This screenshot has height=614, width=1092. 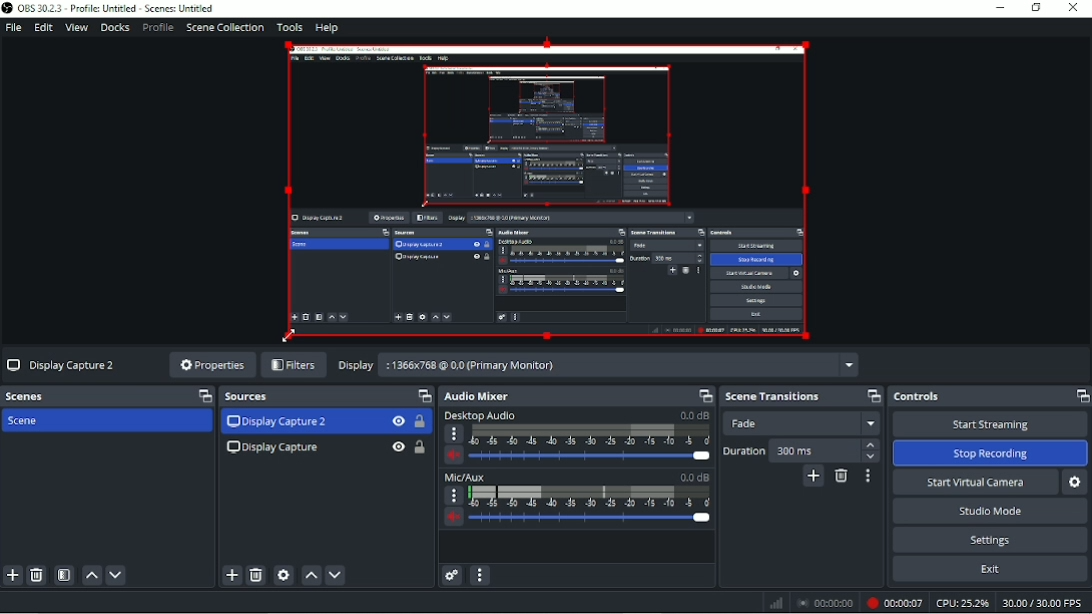 What do you see at coordinates (988, 511) in the screenshot?
I see `Studio mode` at bounding box center [988, 511].